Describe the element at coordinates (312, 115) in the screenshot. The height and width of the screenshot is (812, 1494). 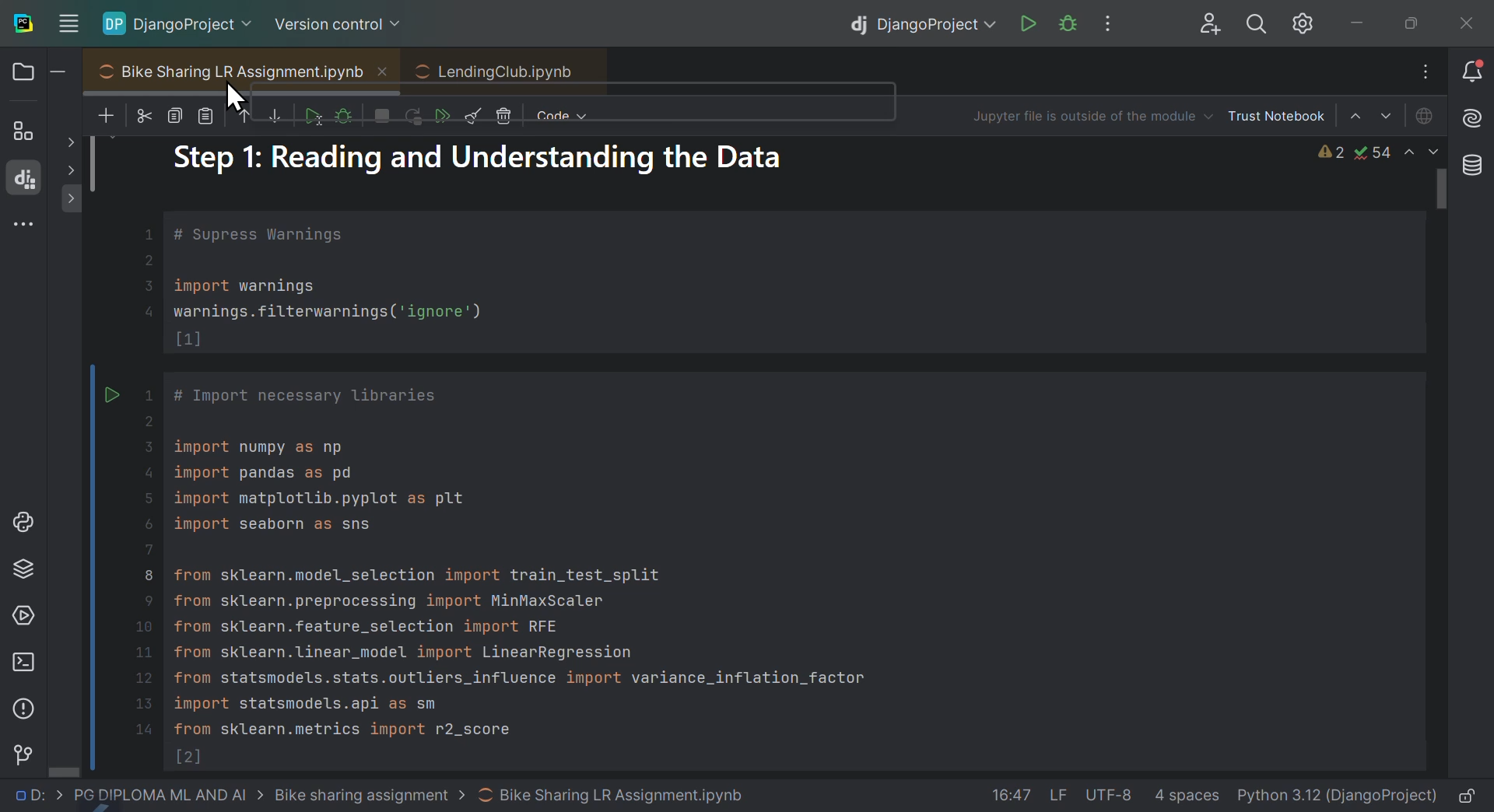
I see `run cell and select below` at that location.